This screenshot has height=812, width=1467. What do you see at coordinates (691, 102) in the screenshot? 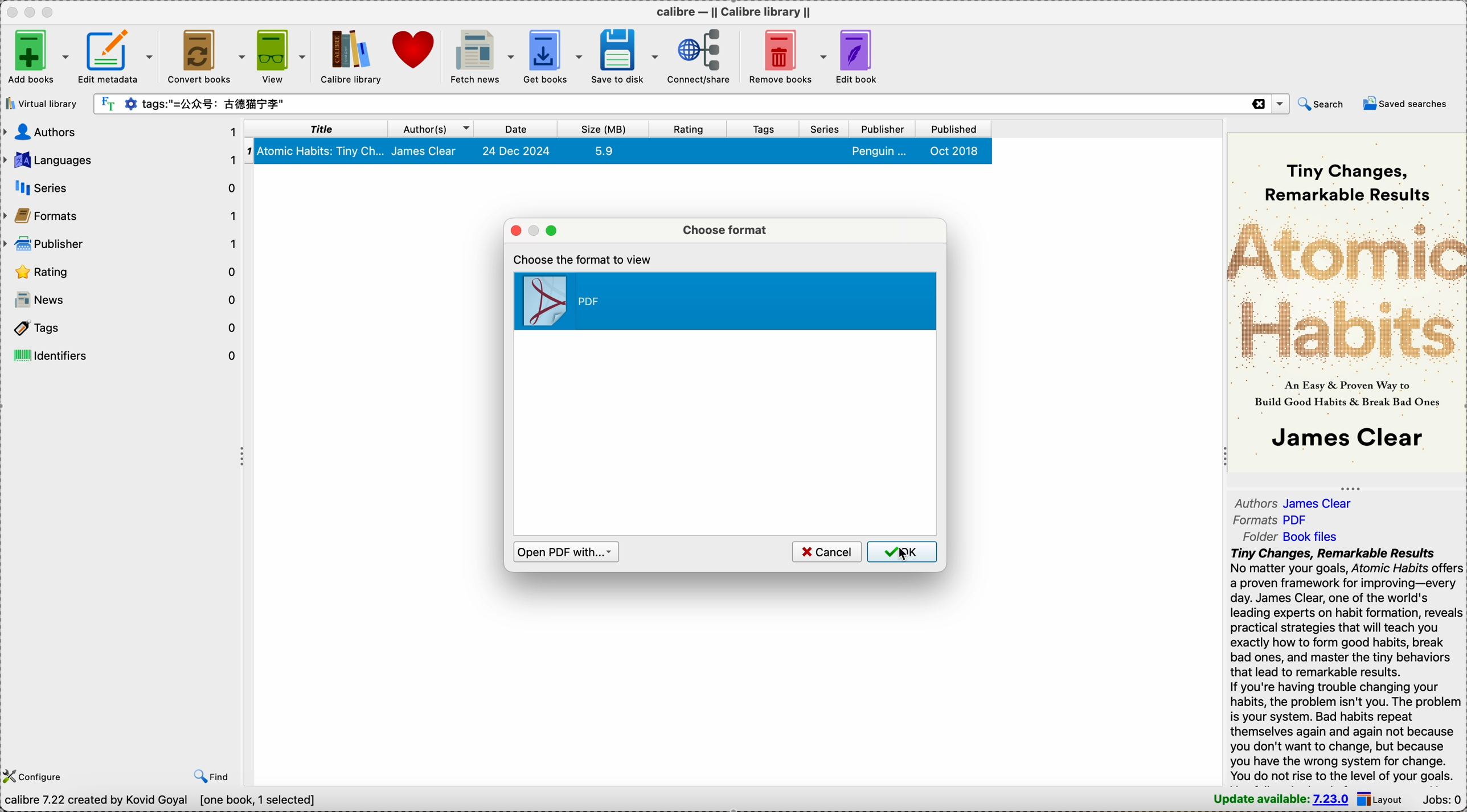
I see `search bar` at bounding box center [691, 102].